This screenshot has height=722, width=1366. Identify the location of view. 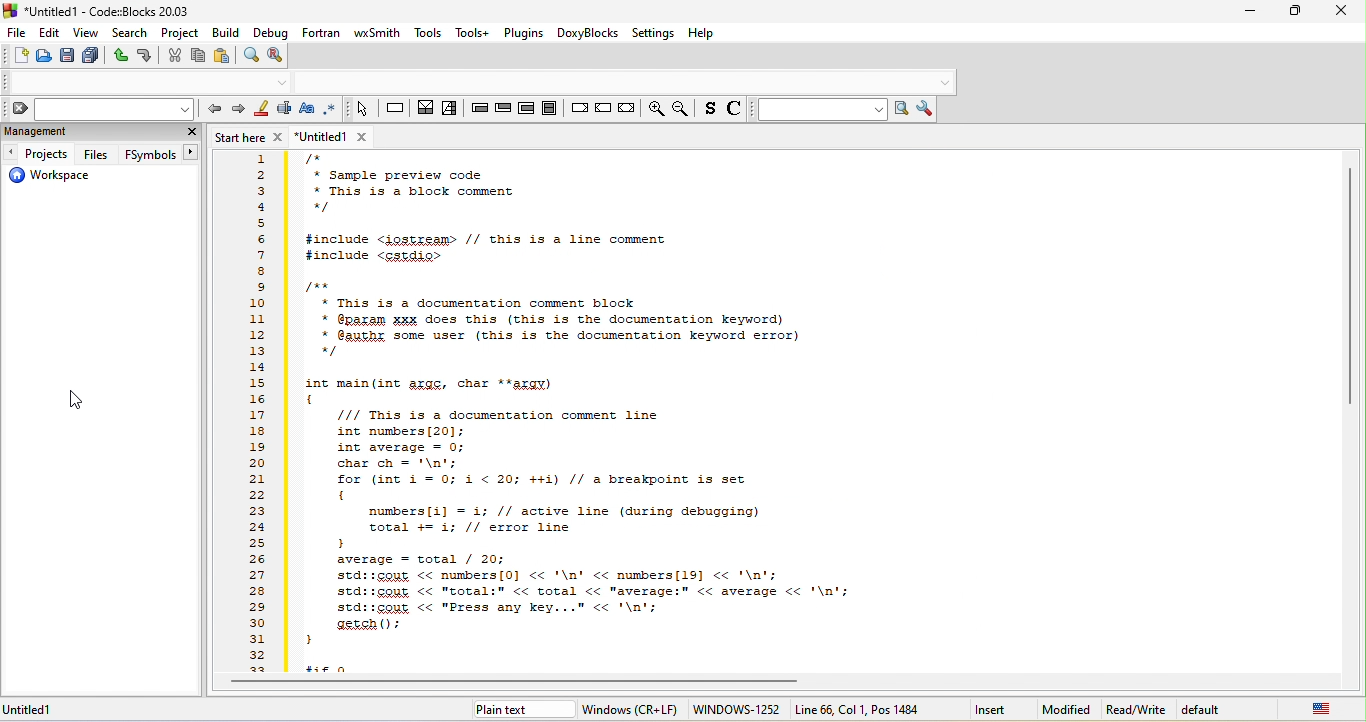
(87, 34).